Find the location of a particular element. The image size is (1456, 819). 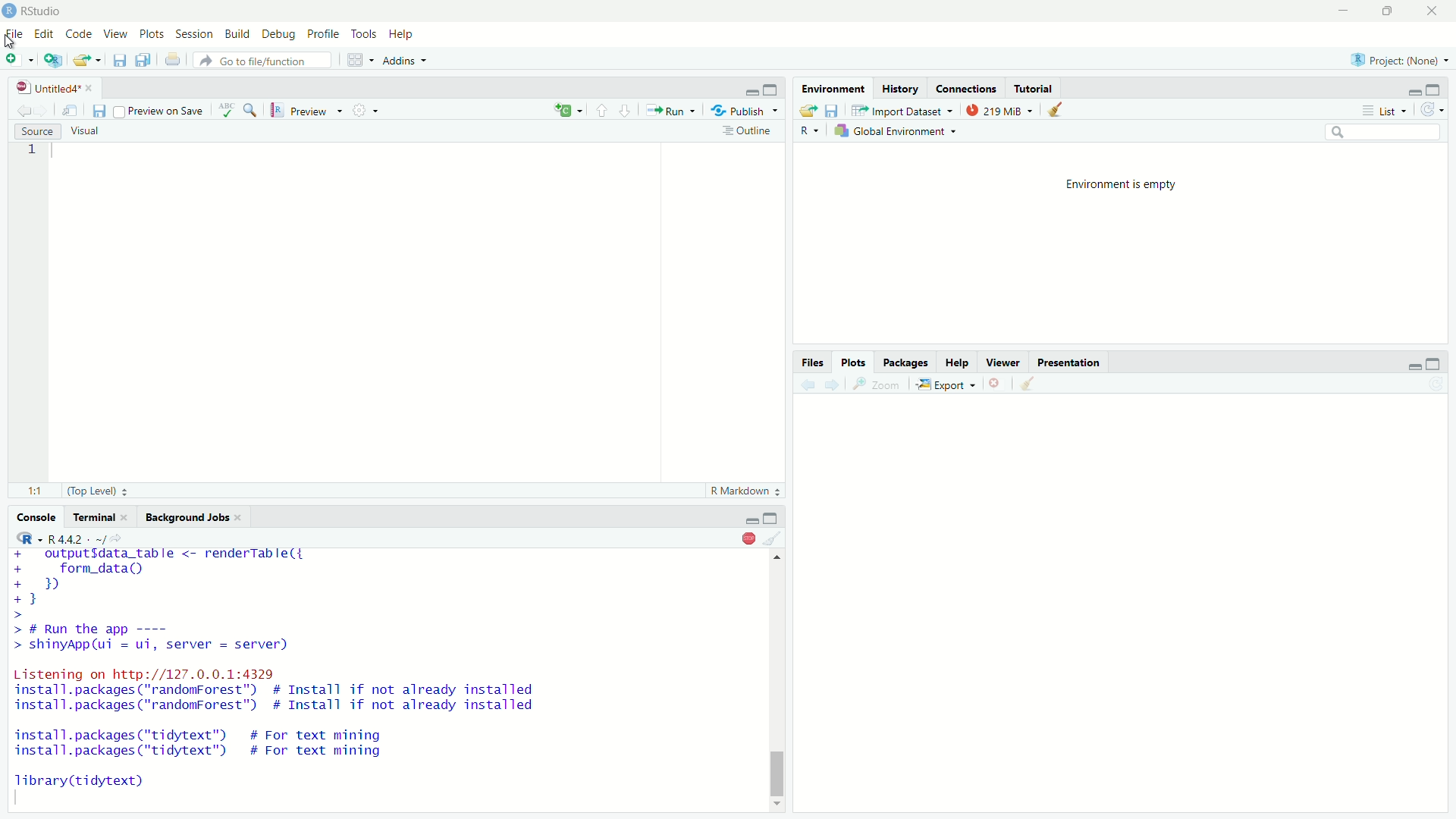

Source is located at coordinates (38, 132).